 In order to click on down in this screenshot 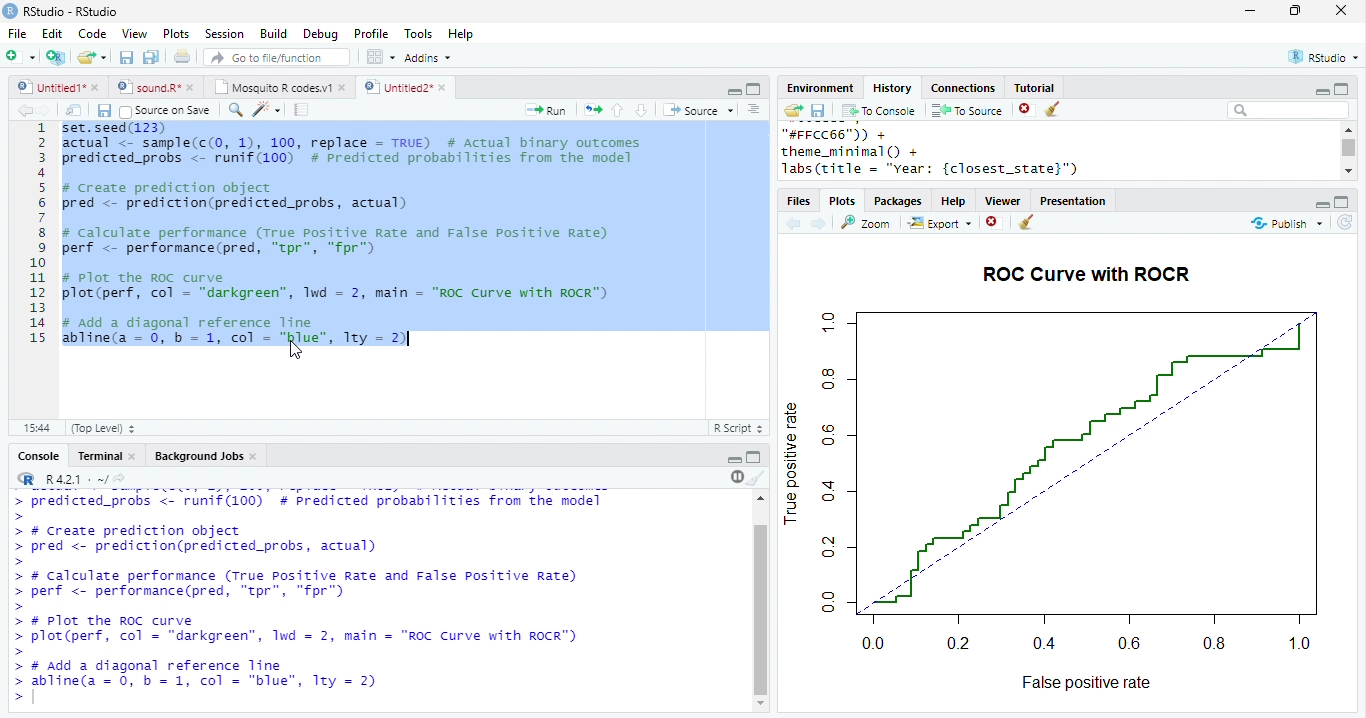, I will do `click(640, 110)`.